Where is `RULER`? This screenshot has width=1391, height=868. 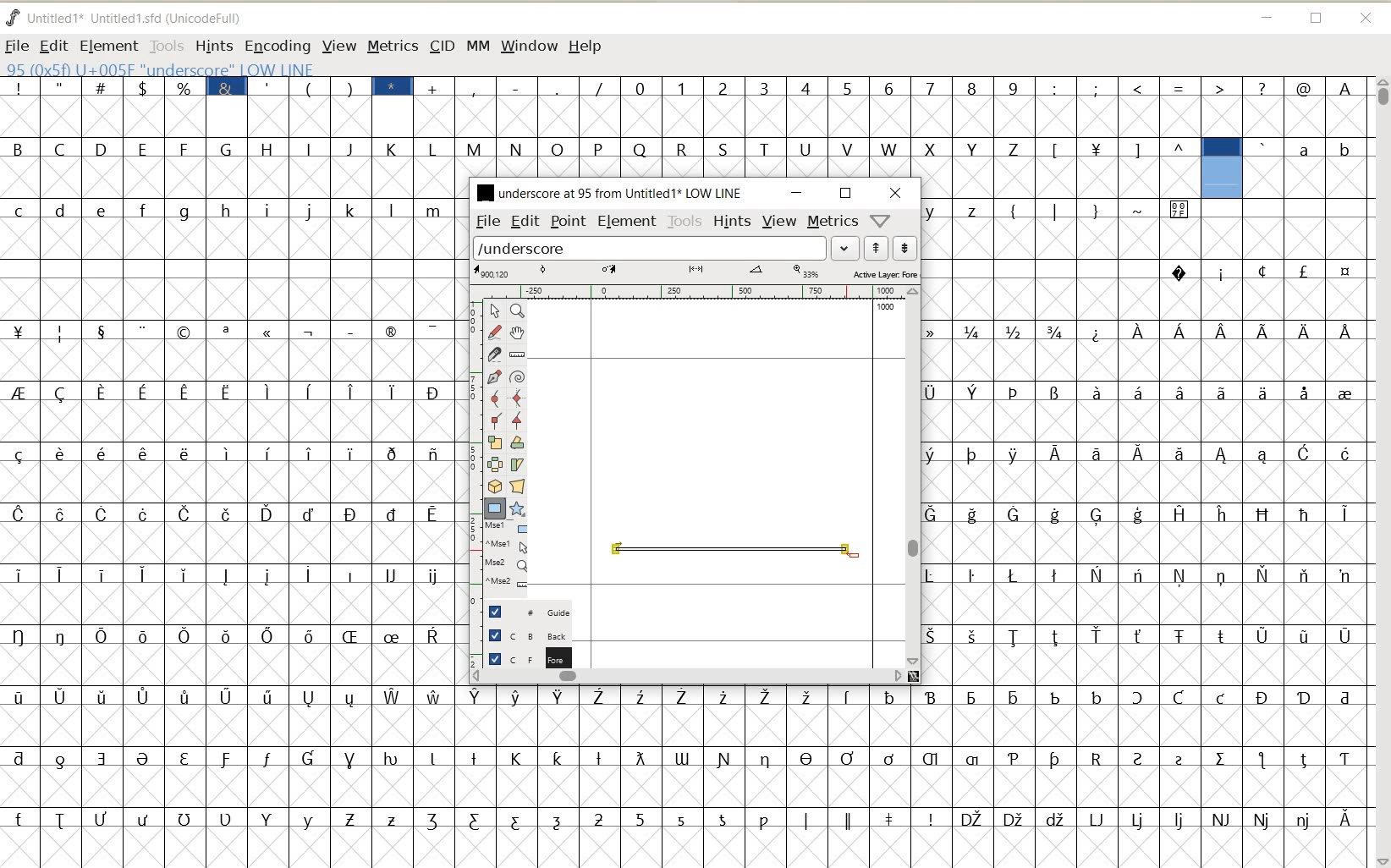 RULER is located at coordinates (690, 292).